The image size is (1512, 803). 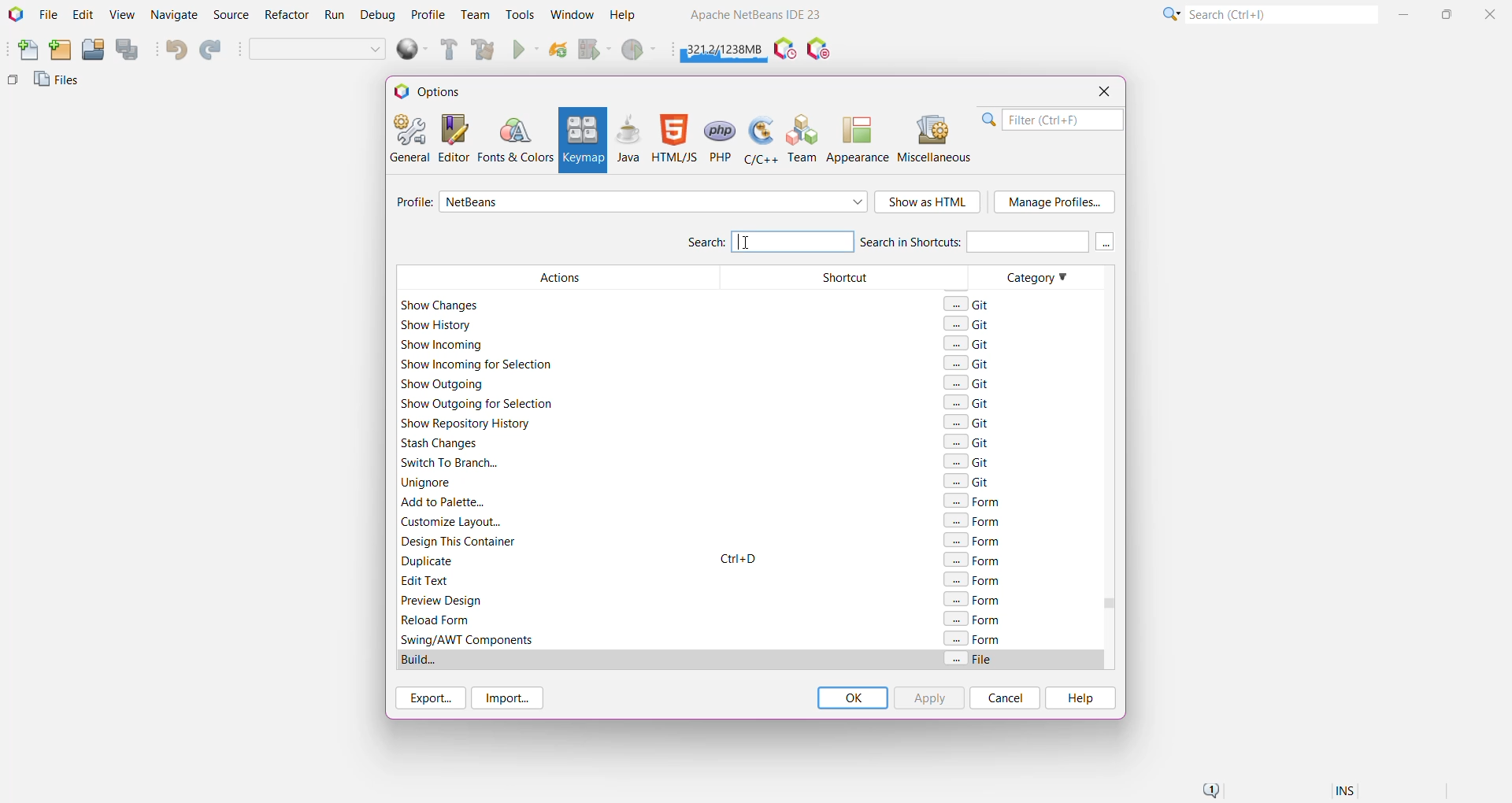 What do you see at coordinates (721, 139) in the screenshot?
I see `PHP` at bounding box center [721, 139].